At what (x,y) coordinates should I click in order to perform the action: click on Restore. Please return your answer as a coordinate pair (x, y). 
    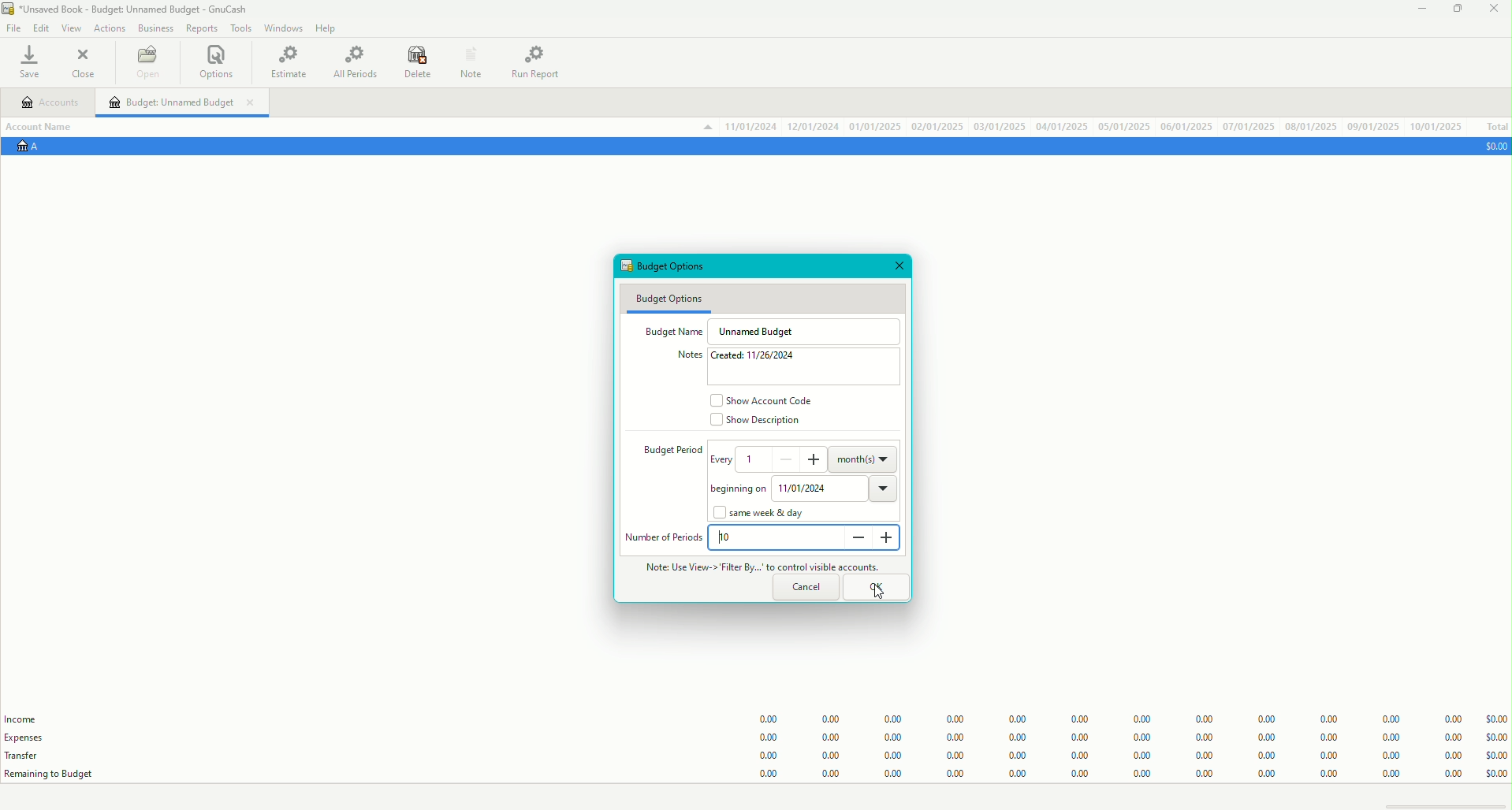
    Looking at the image, I should click on (1456, 10).